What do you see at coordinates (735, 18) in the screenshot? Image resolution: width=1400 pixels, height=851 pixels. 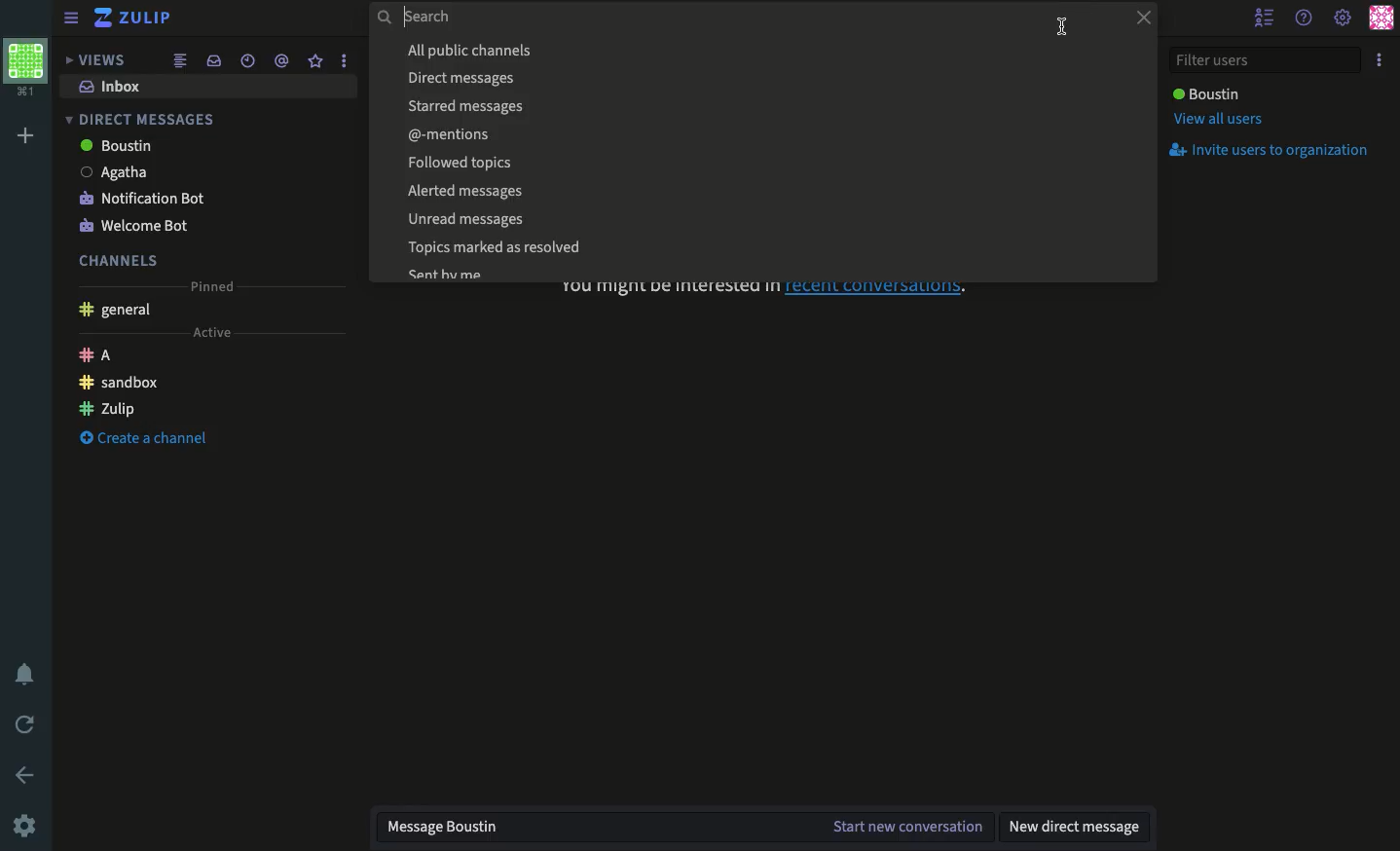 I see `Search` at bounding box center [735, 18].